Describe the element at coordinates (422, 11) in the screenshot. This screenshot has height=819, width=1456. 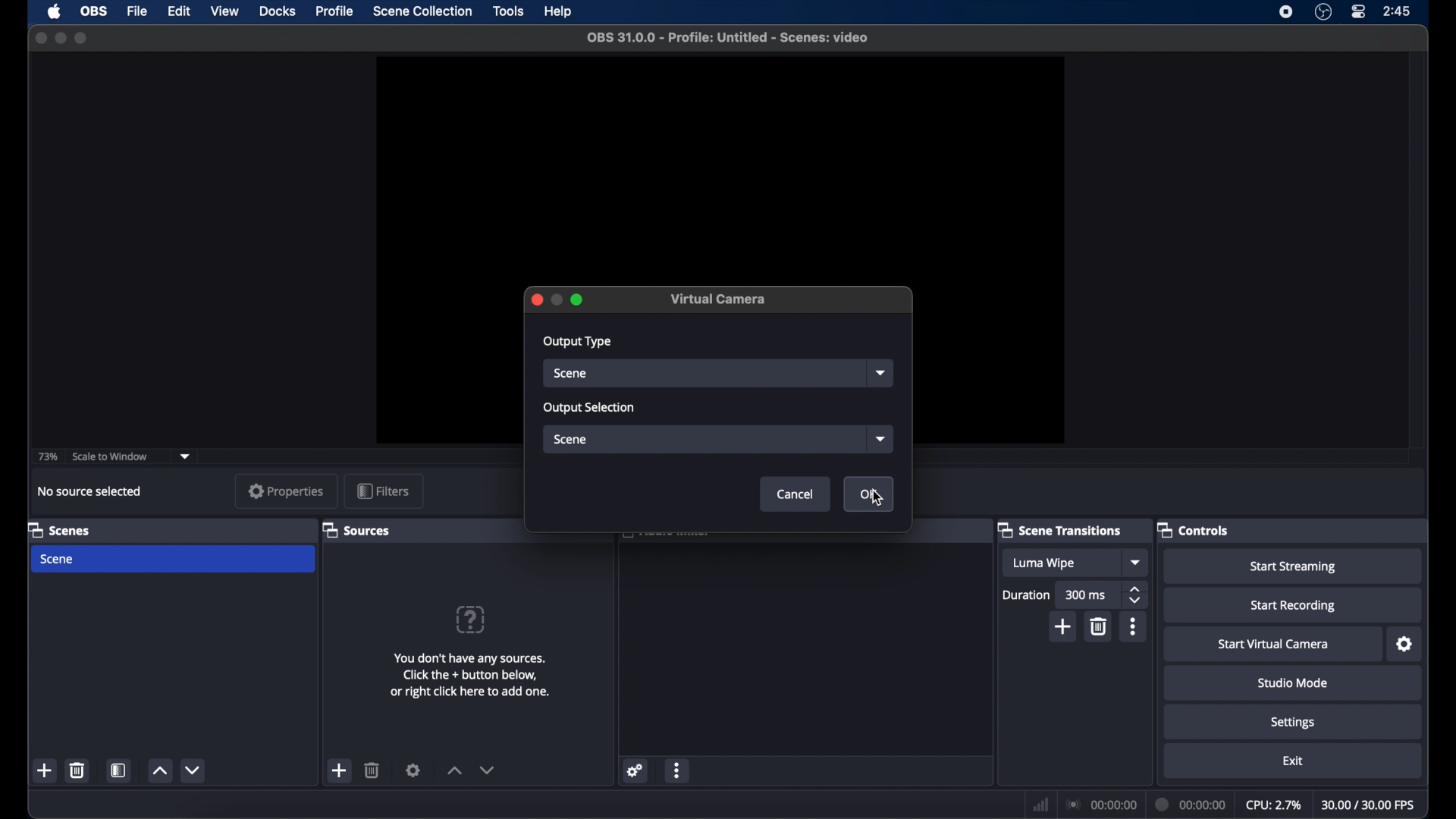
I see `scene collection` at that location.